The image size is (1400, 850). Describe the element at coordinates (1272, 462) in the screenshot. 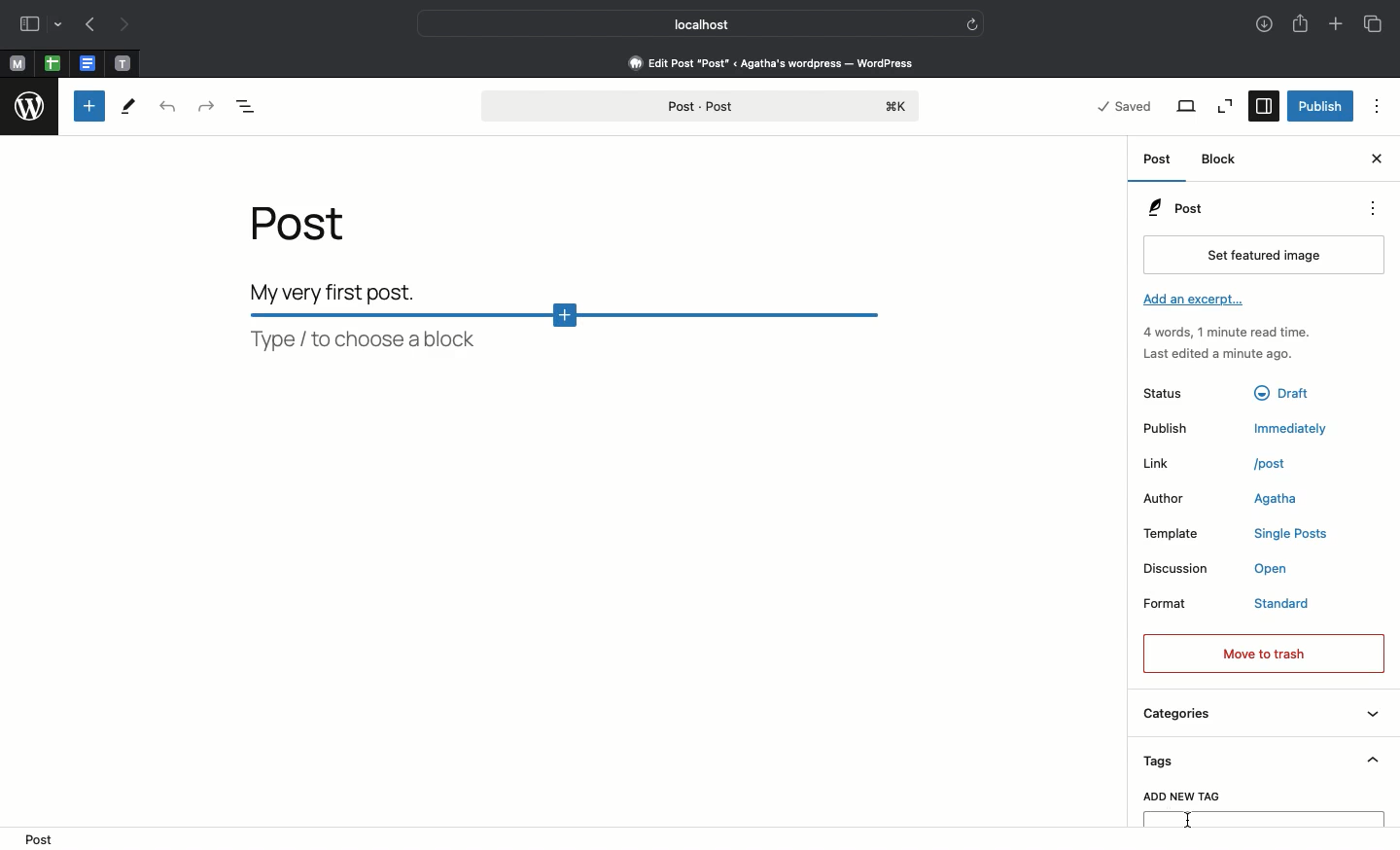

I see `post` at that location.